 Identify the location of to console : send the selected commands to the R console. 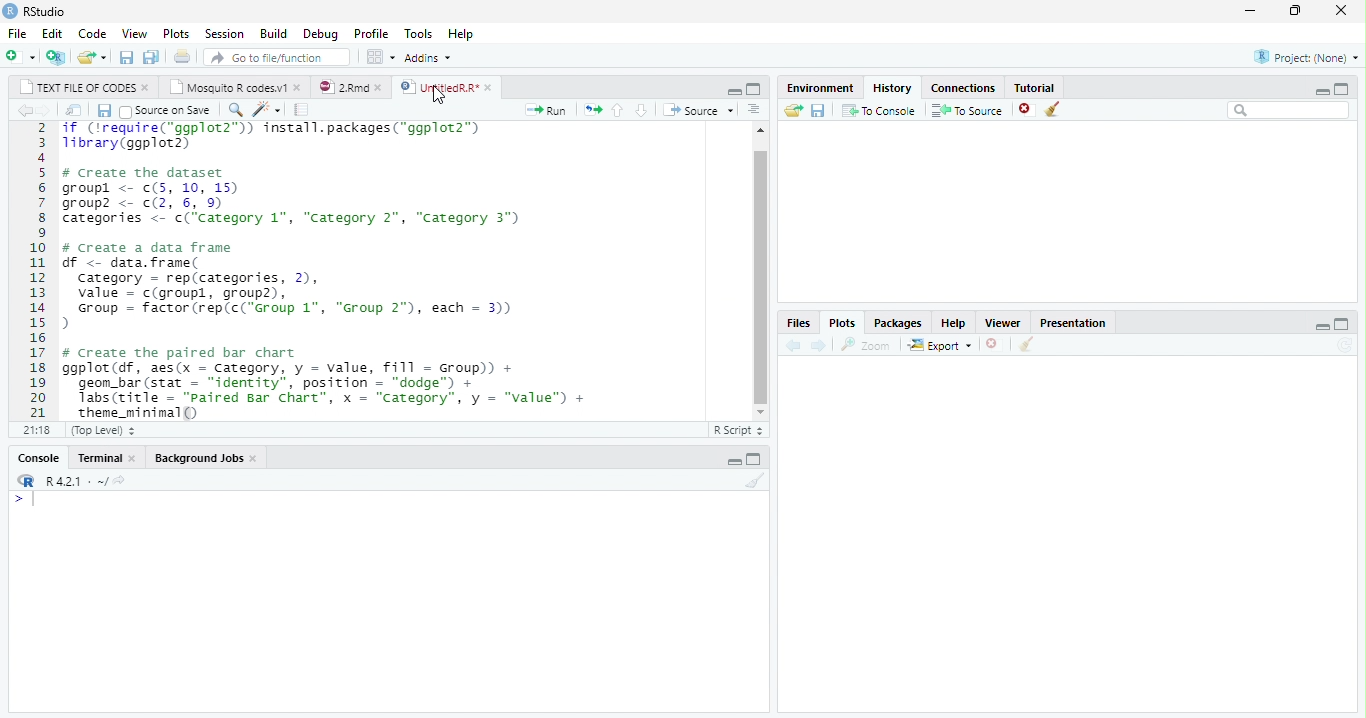
(877, 110).